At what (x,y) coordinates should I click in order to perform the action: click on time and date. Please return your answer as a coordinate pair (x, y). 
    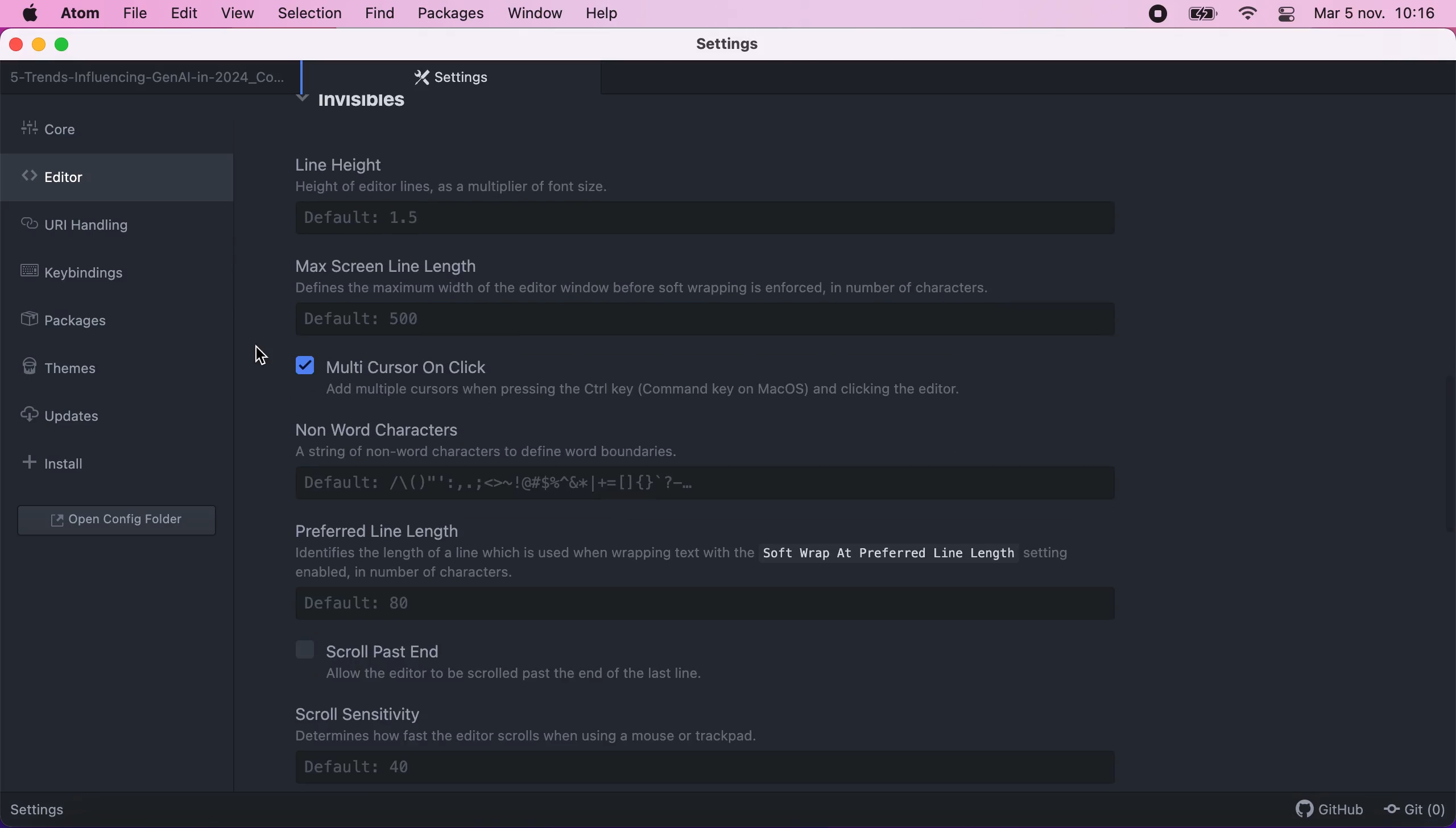
    Looking at the image, I should click on (1378, 16).